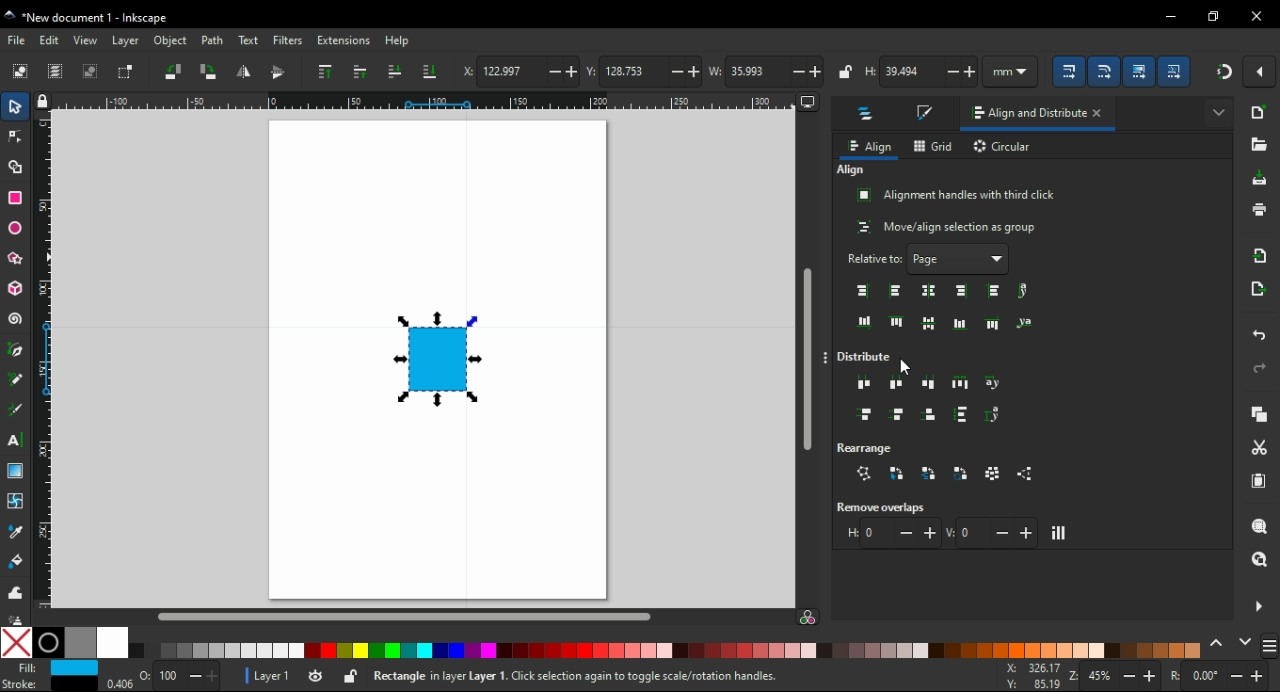  Describe the element at coordinates (48, 359) in the screenshot. I see `vertical ruler` at that location.